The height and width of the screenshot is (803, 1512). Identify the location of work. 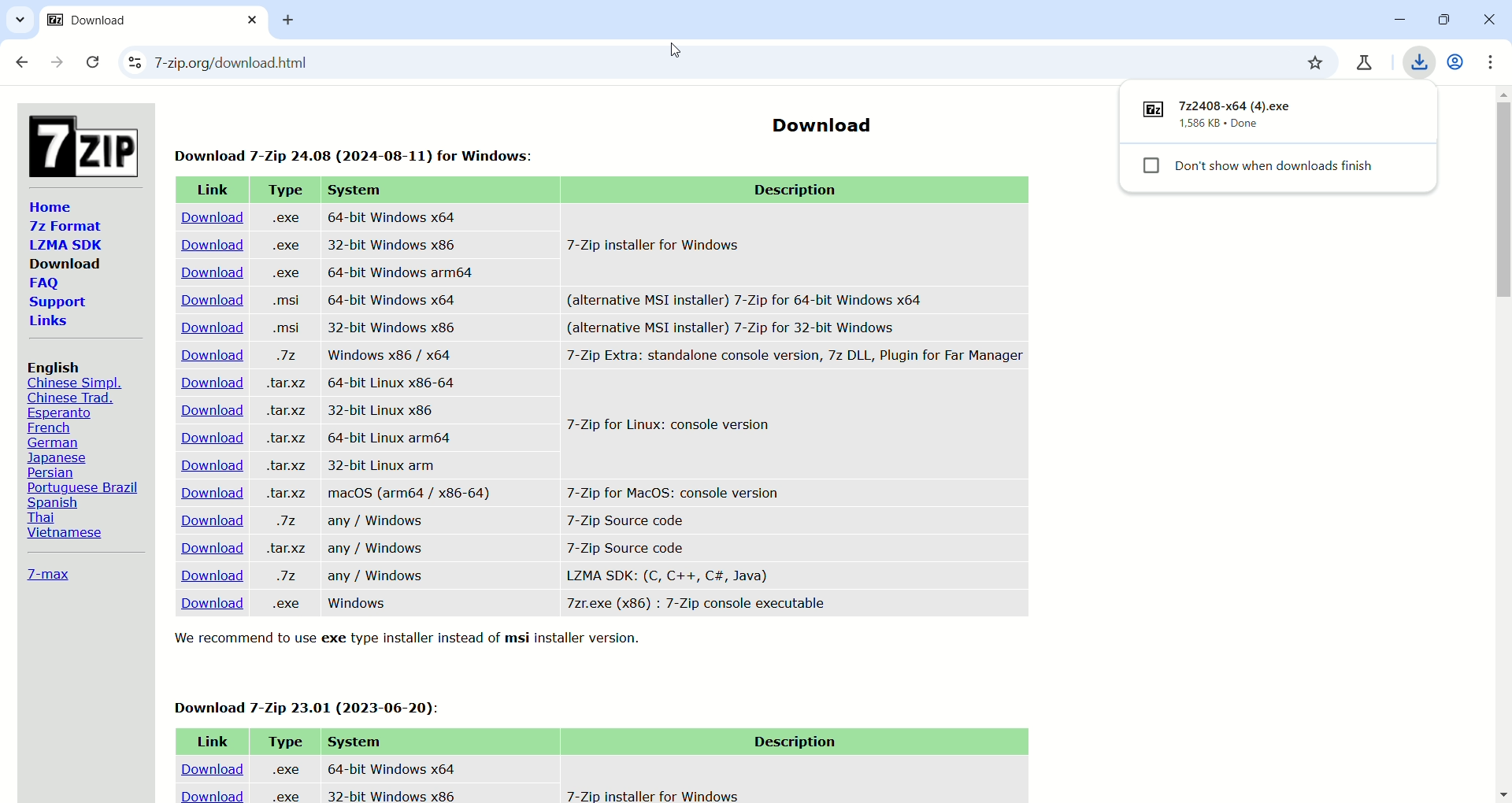
(1458, 61).